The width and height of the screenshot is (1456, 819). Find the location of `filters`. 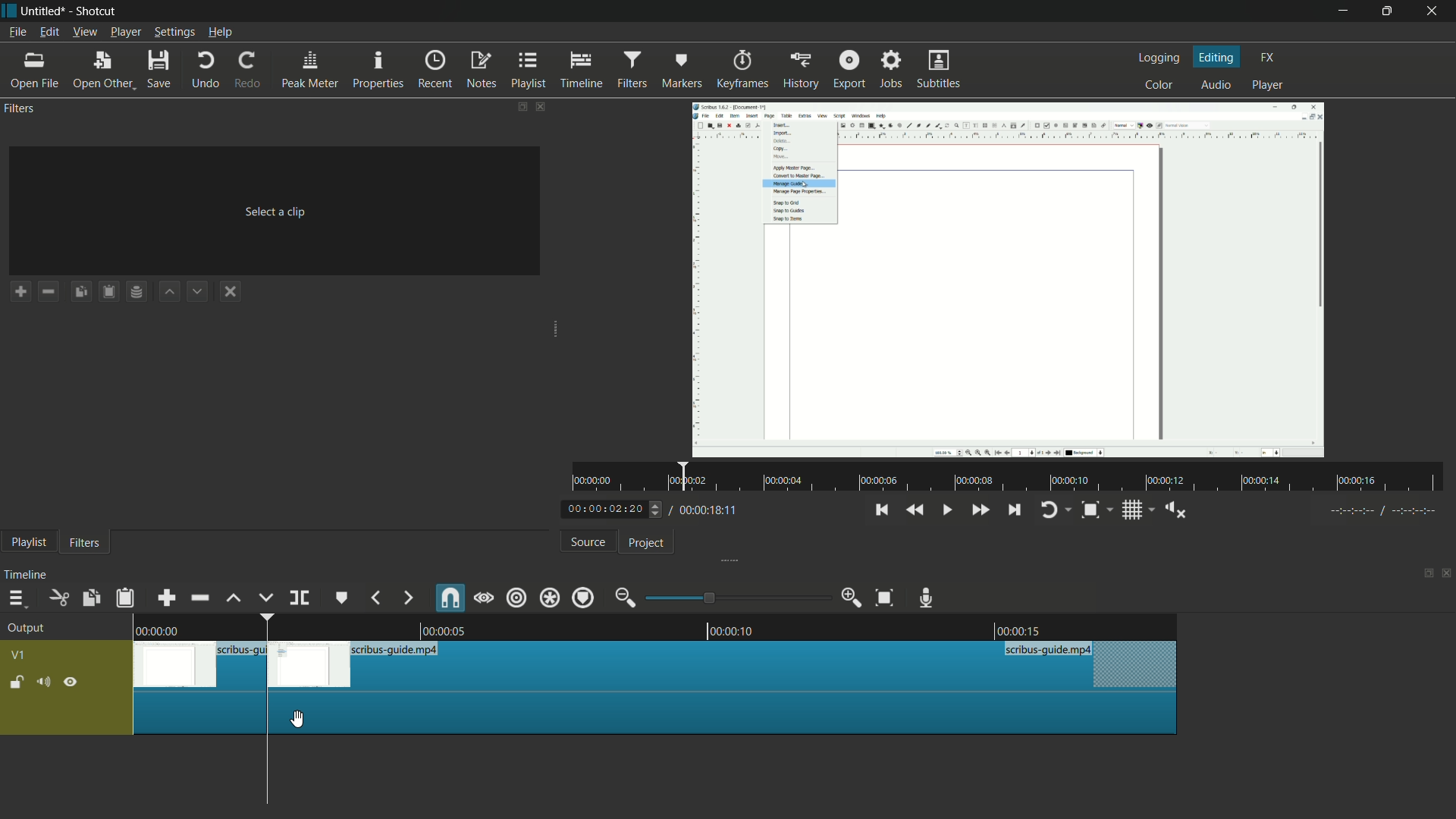

filters is located at coordinates (83, 541).